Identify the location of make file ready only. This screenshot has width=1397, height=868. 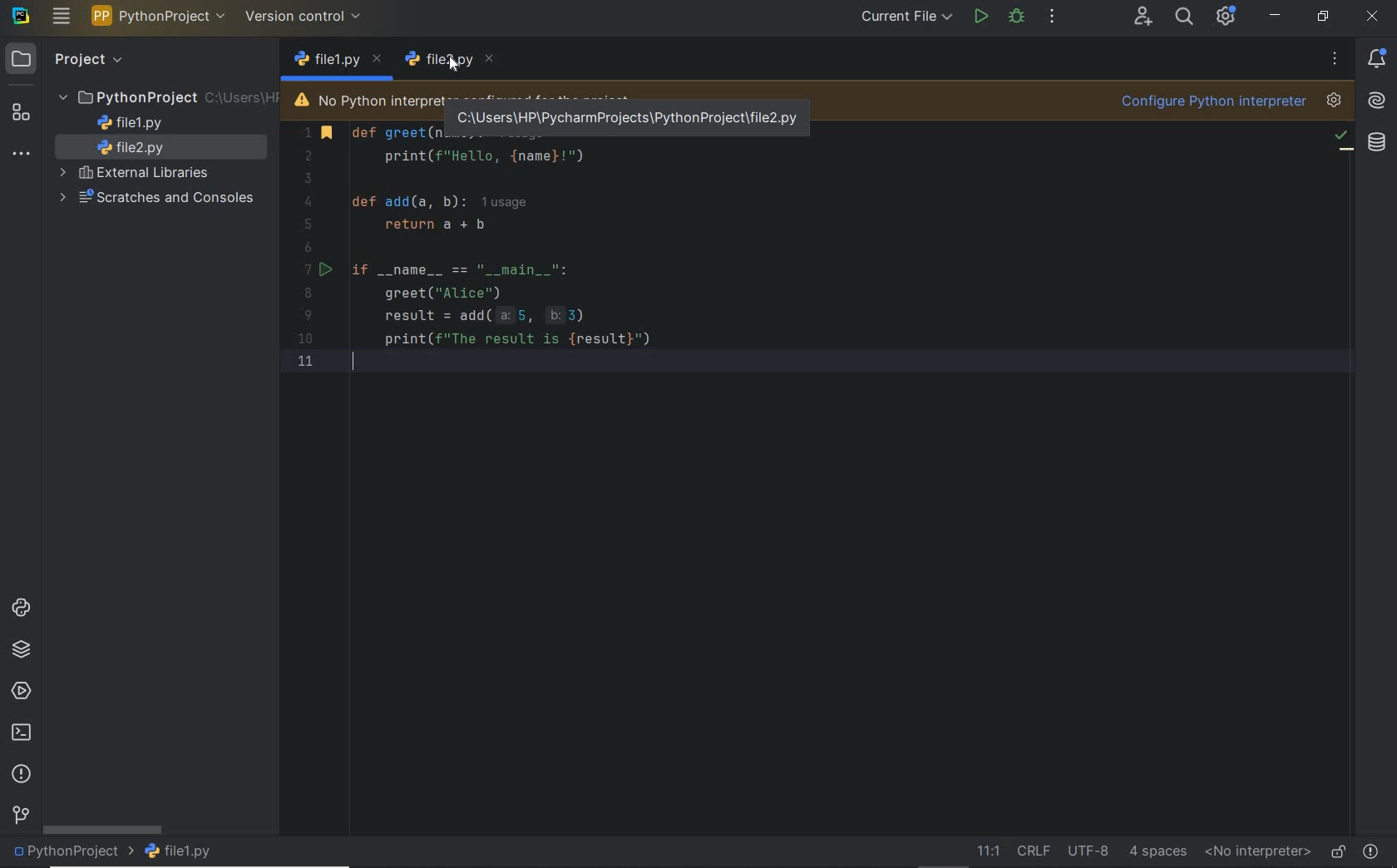
(1335, 850).